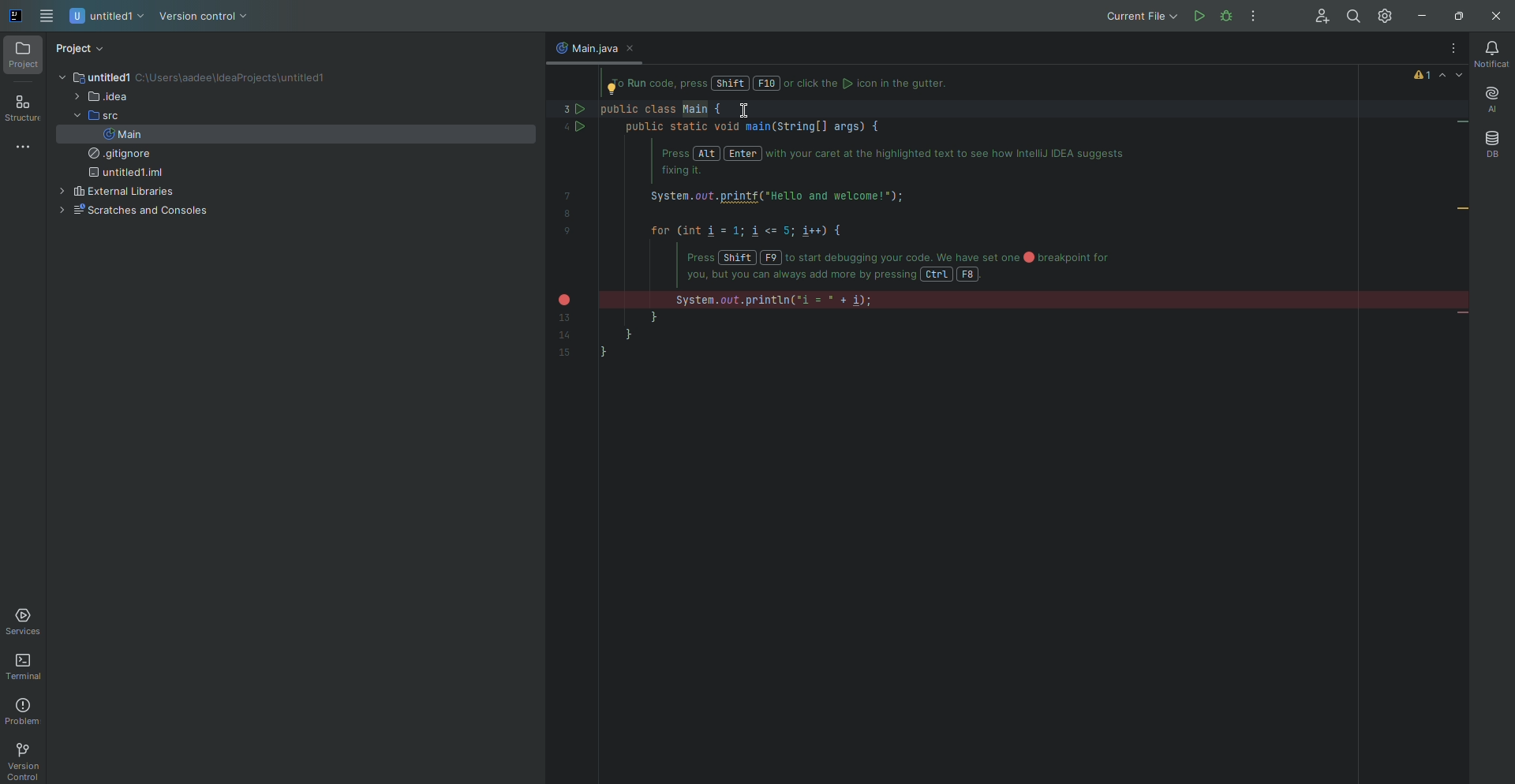 The width and height of the screenshot is (1515, 784). Describe the element at coordinates (1139, 16) in the screenshot. I see `Current File` at that location.